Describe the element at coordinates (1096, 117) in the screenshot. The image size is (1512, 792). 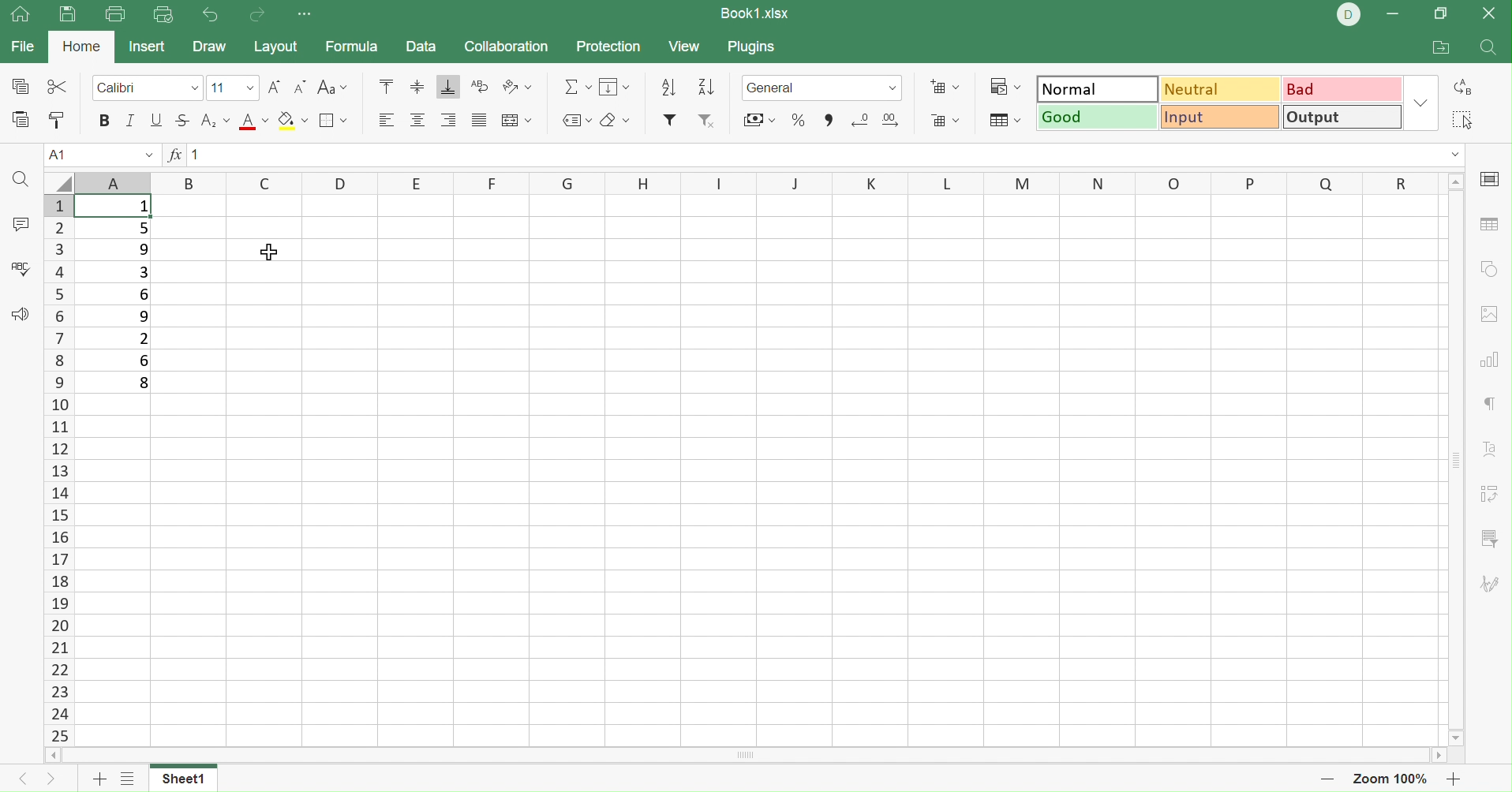
I see `Good` at that location.